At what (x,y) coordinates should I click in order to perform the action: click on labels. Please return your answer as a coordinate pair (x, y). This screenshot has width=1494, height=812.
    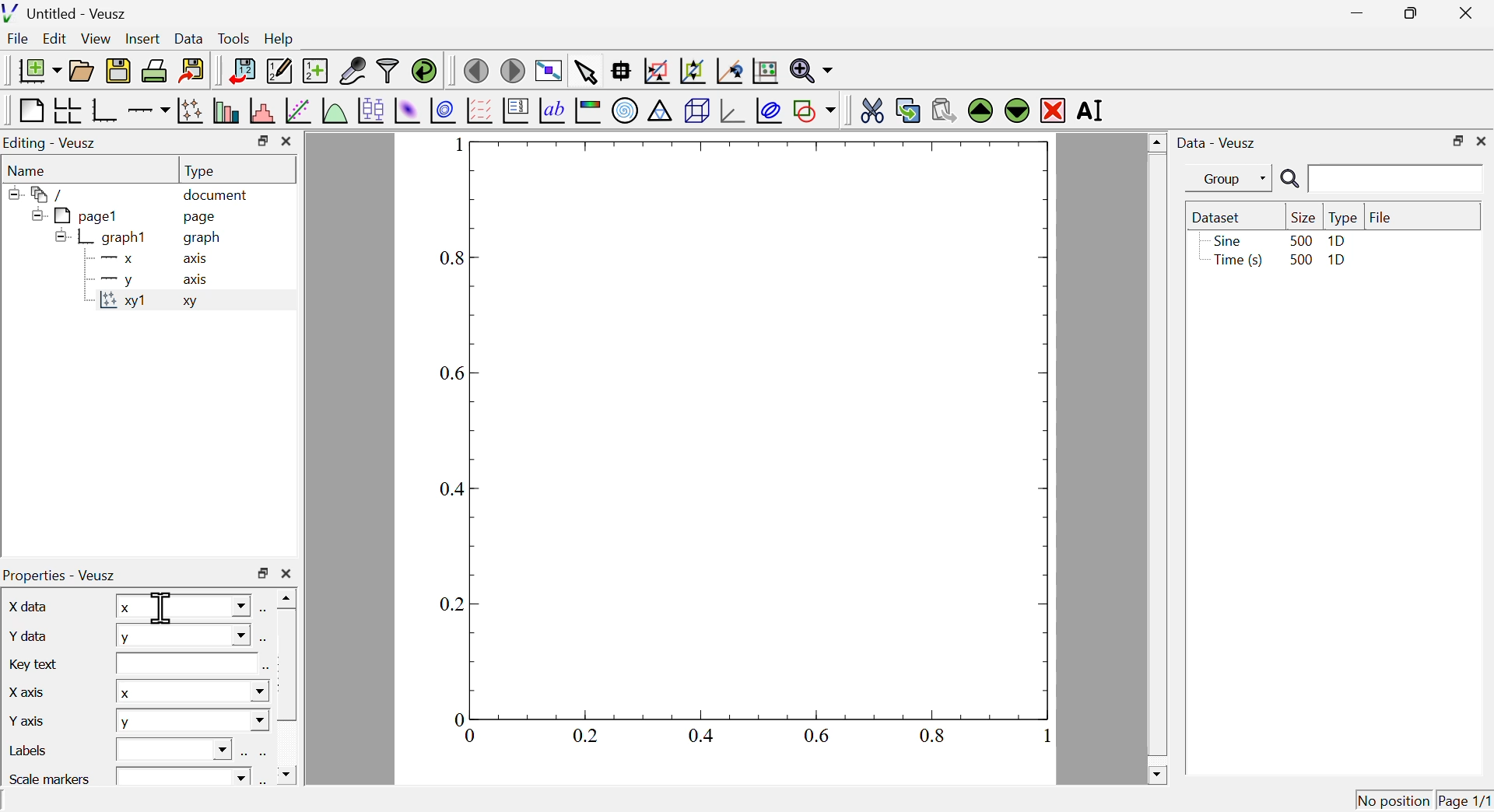
    Looking at the image, I should click on (31, 751).